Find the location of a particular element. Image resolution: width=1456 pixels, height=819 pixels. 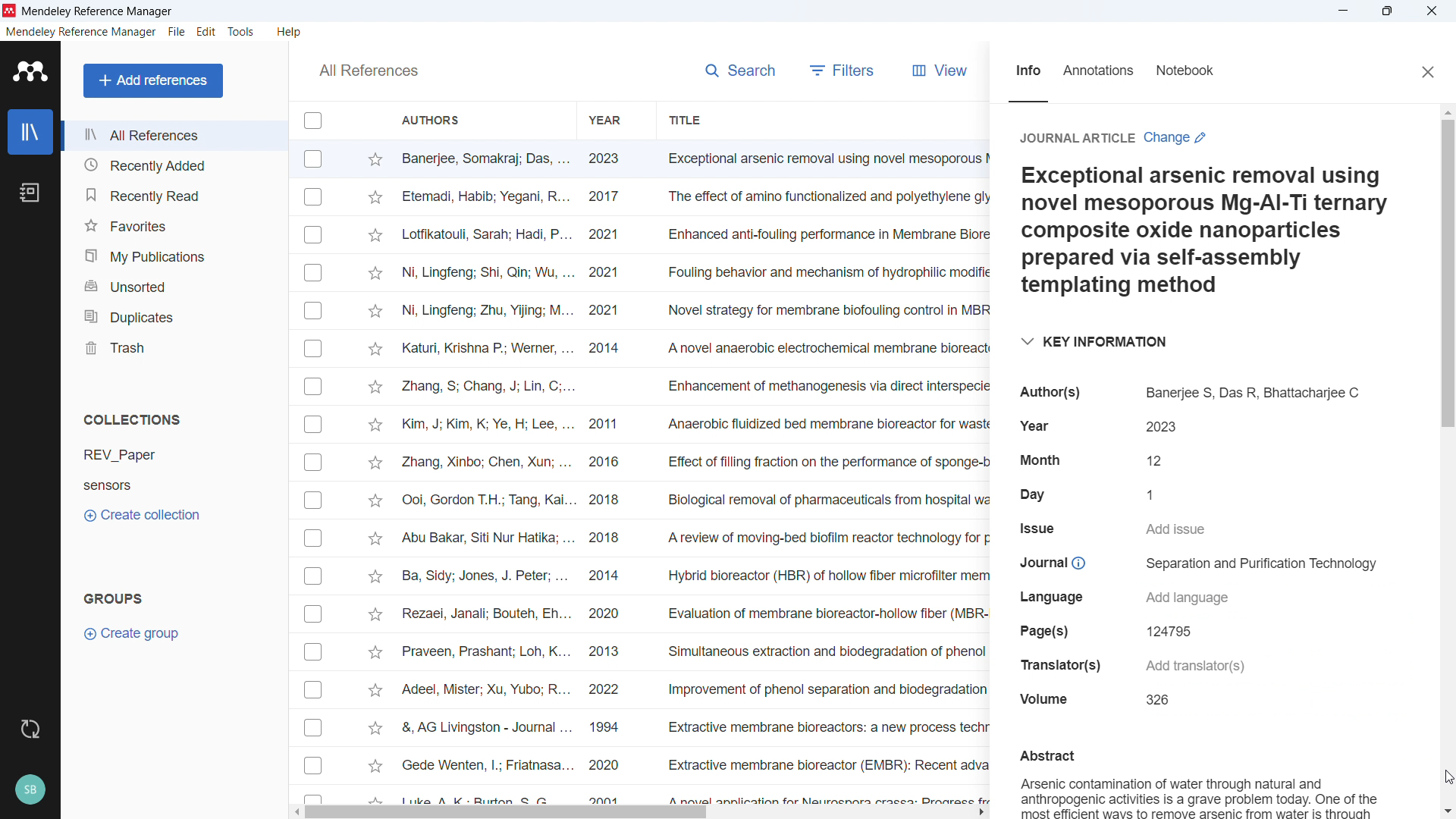

click to starmark individual entries is located at coordinates (375, 613).